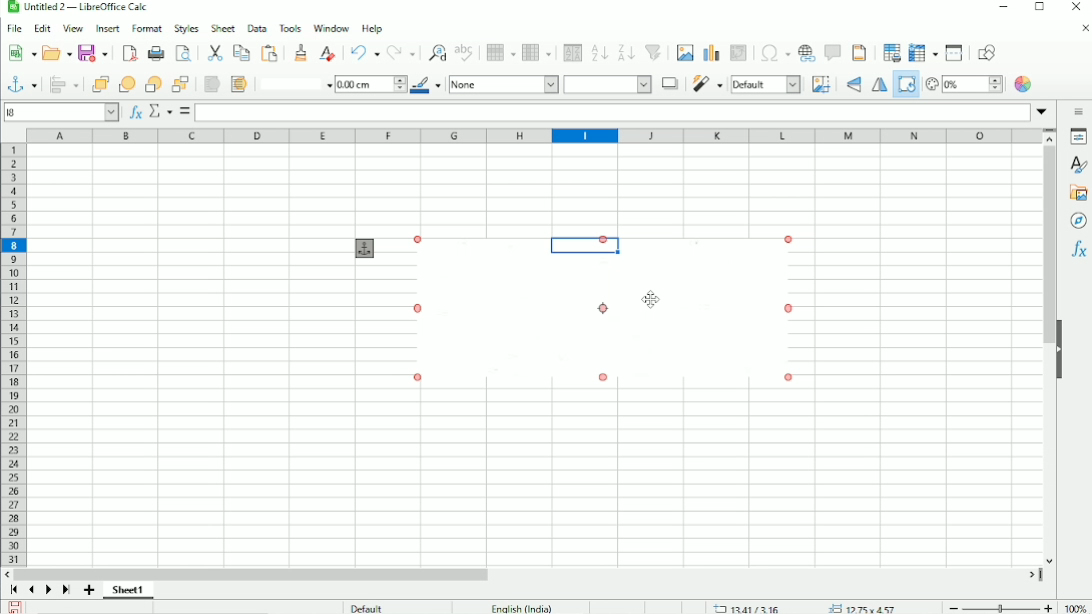 This screenshot has height=614, width=1092. Describe the element at coordinates (106, 28) in the screenshot. I see `Insert` at that location.